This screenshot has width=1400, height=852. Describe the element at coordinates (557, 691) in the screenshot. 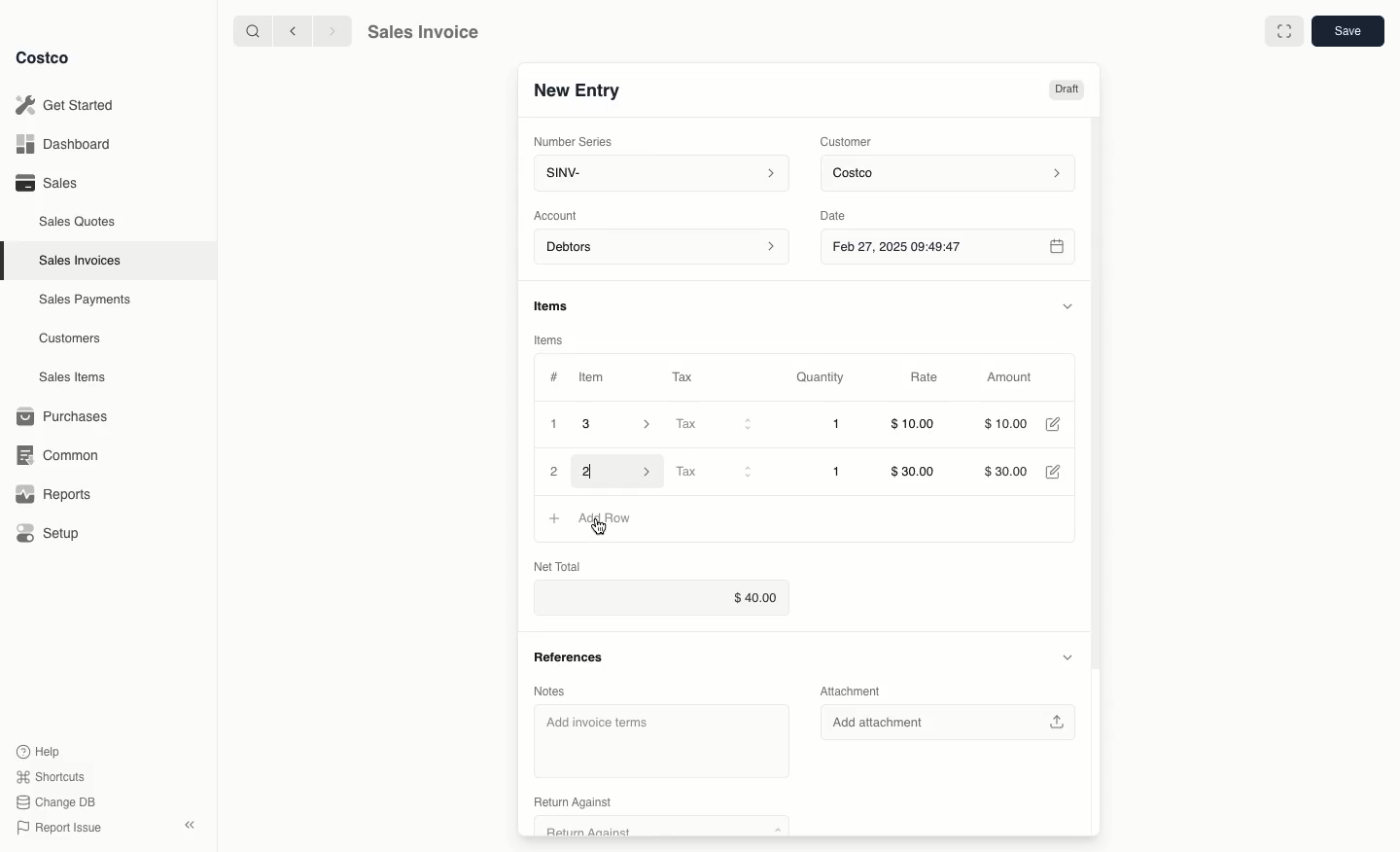

I see `Notes` at that location.